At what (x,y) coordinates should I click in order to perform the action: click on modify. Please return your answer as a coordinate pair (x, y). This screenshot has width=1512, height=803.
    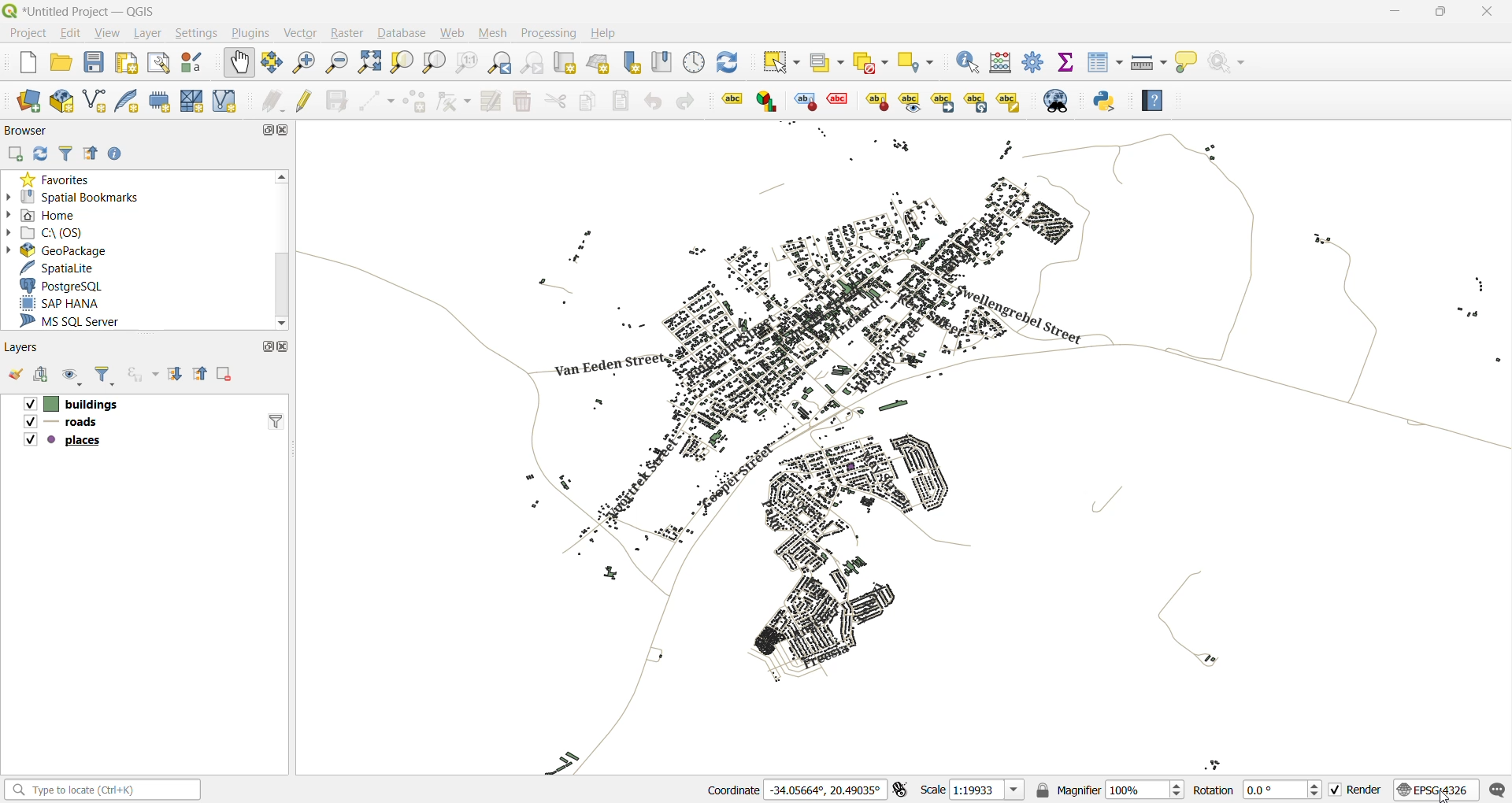
    Looking at the image, I should click on (490, 102).